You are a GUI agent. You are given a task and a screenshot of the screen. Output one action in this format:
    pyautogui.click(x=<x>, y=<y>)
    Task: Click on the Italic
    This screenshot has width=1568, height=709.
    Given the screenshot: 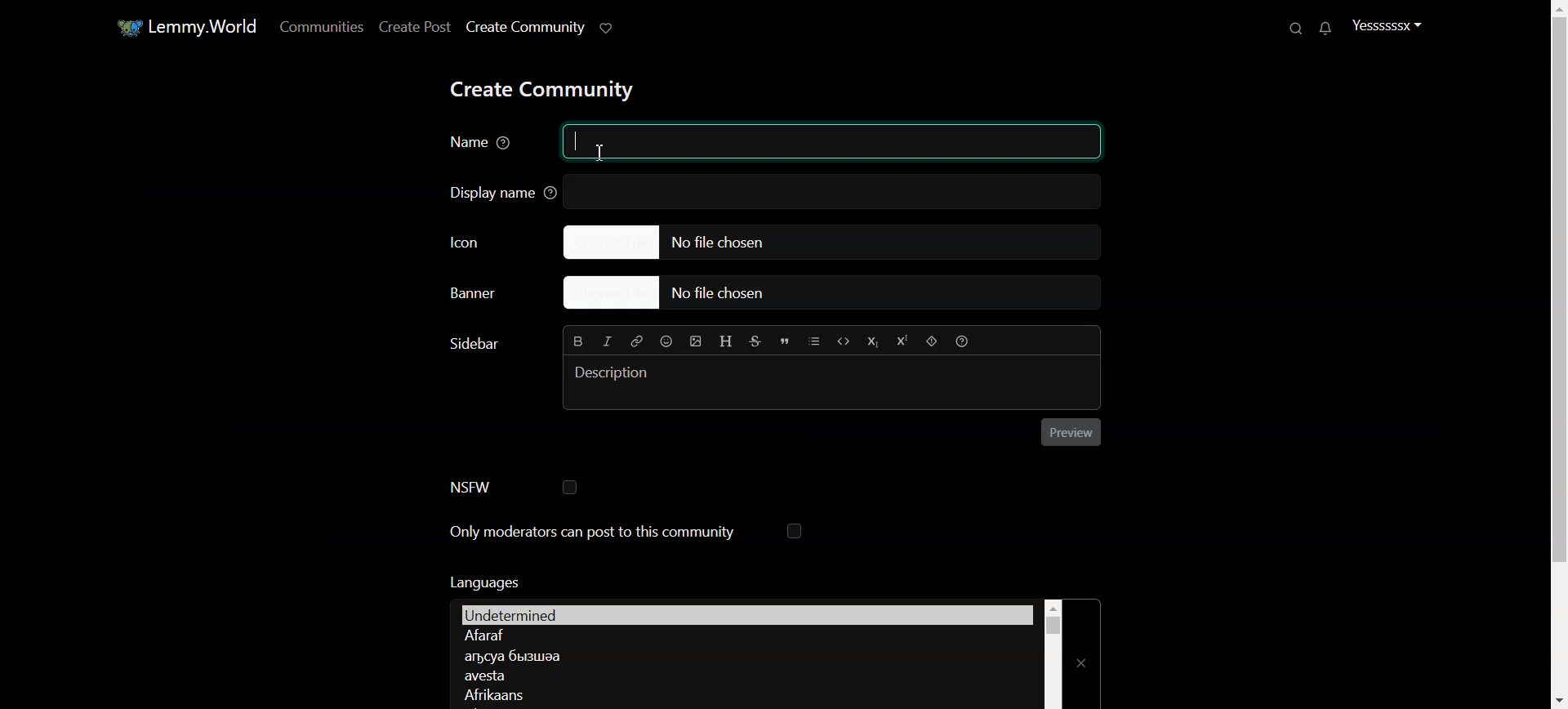 What is the action you would take?
    pyautogui.click(x=608, y=341)
    